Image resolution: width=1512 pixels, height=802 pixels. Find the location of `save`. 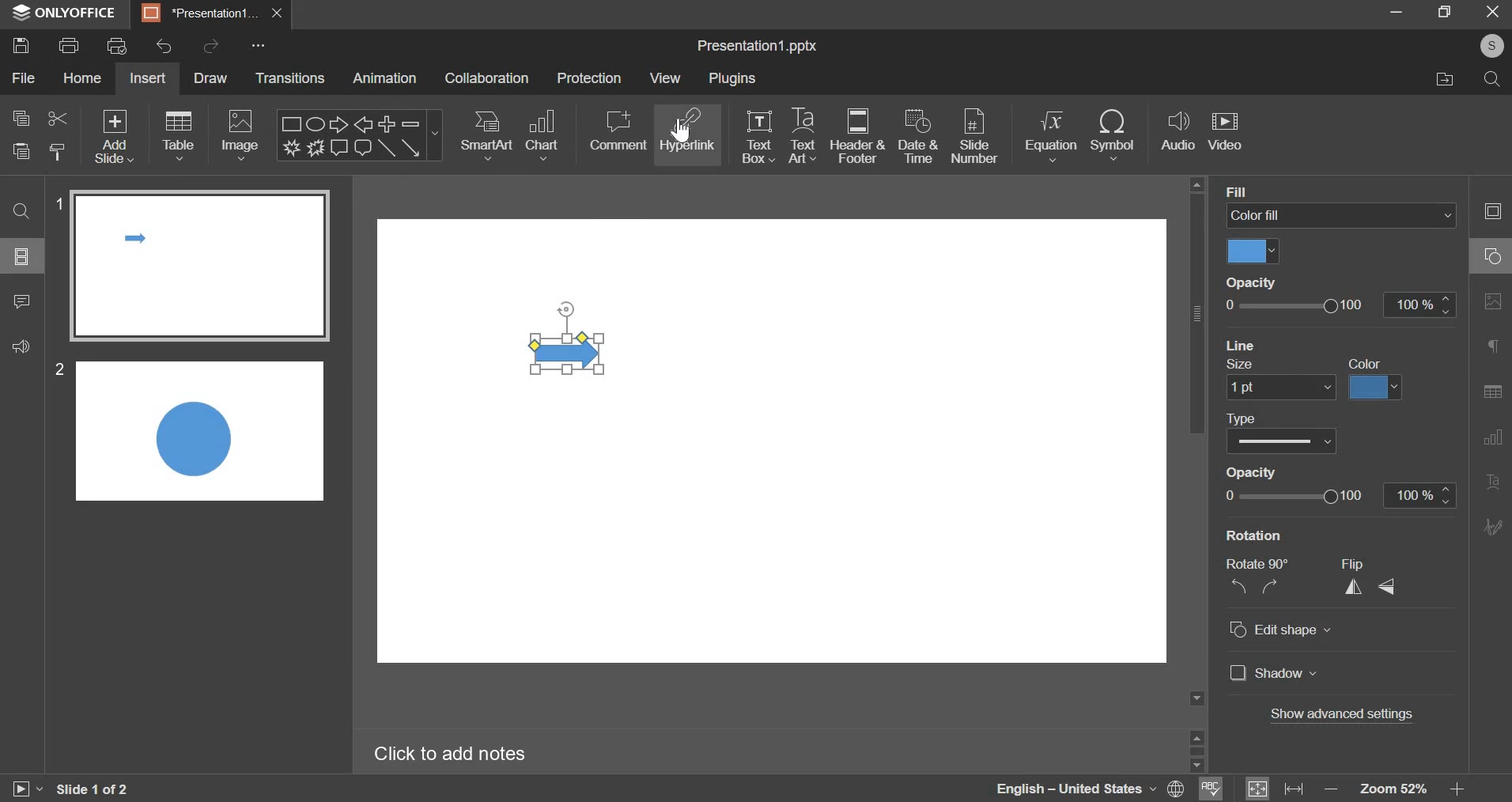

save is located at coordinates (22, 46).